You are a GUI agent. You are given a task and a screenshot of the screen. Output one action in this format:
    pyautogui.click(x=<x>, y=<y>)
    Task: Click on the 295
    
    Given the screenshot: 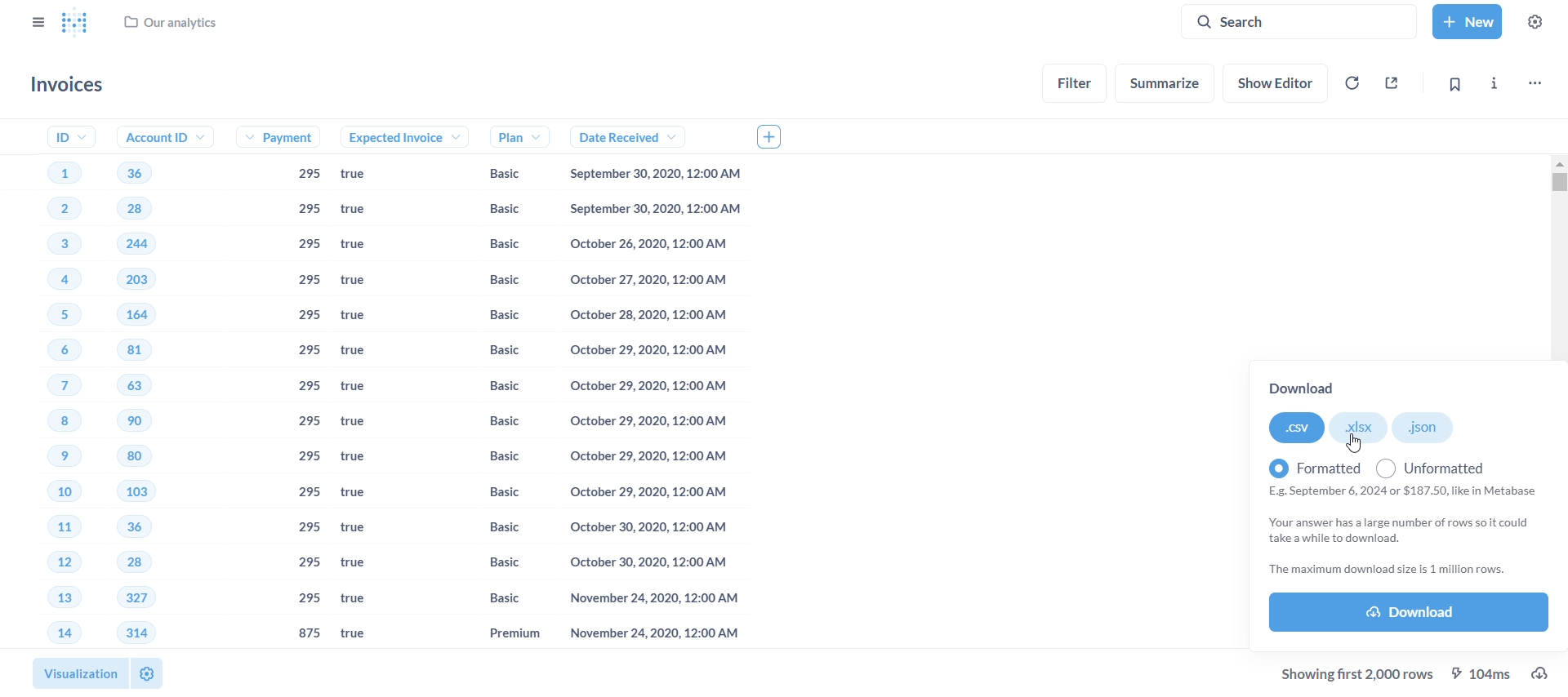 What is the action you would take?
    pyautogui.click(x=306, y=210)
    